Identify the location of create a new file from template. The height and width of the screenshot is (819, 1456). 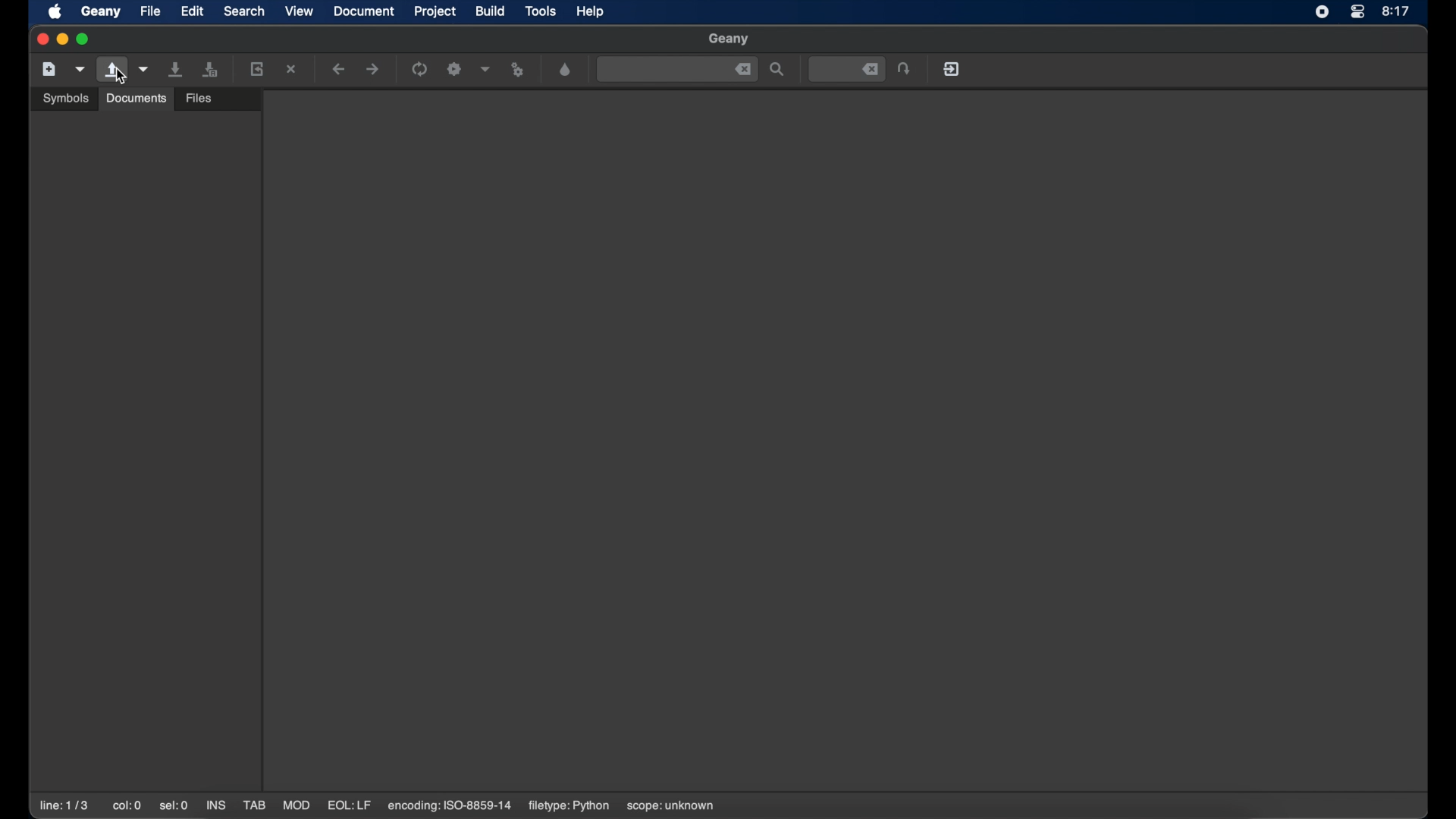
(80, 70).